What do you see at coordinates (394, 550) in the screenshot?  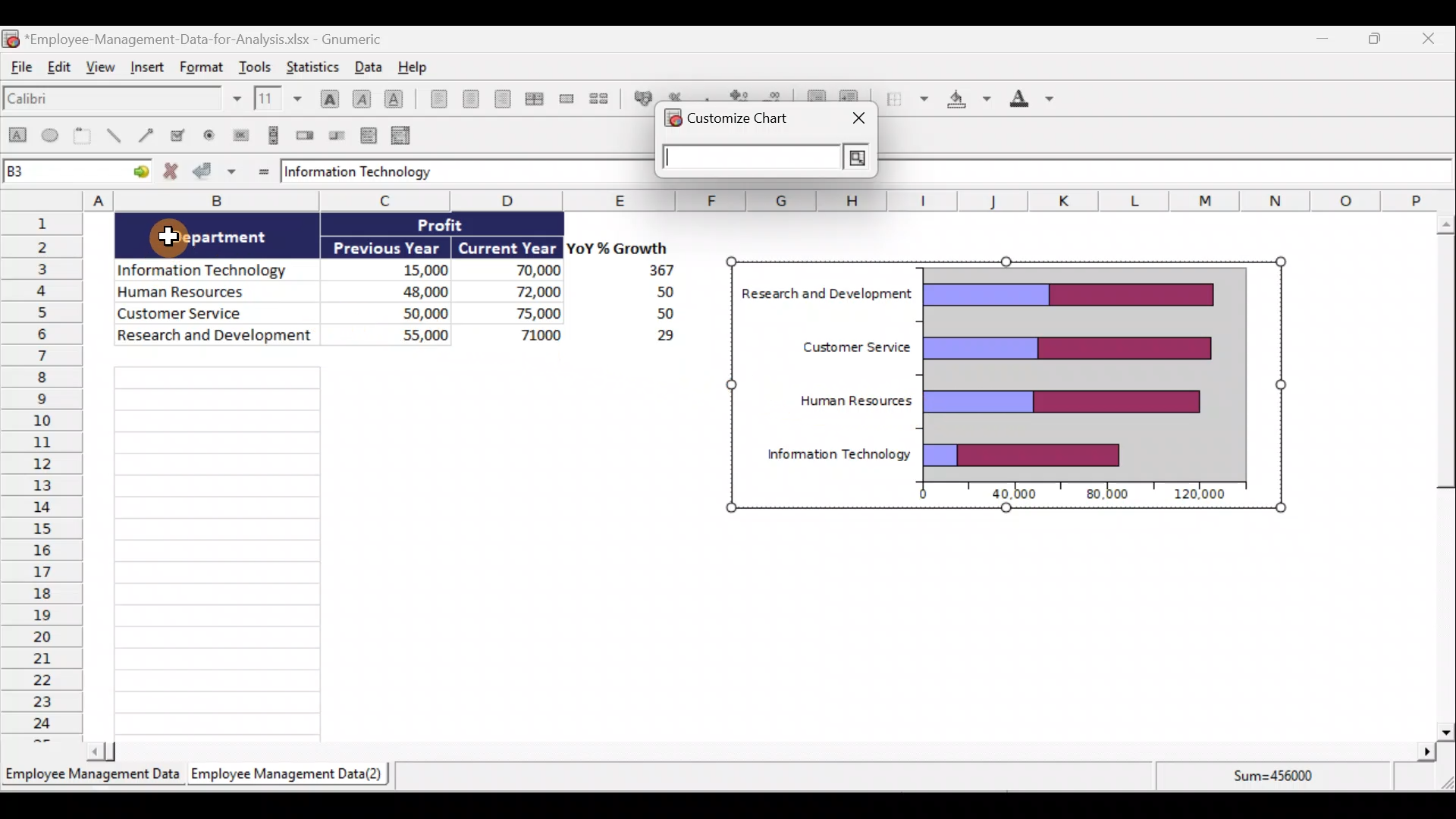 I see `Cells` at bounding box center [394, 550].